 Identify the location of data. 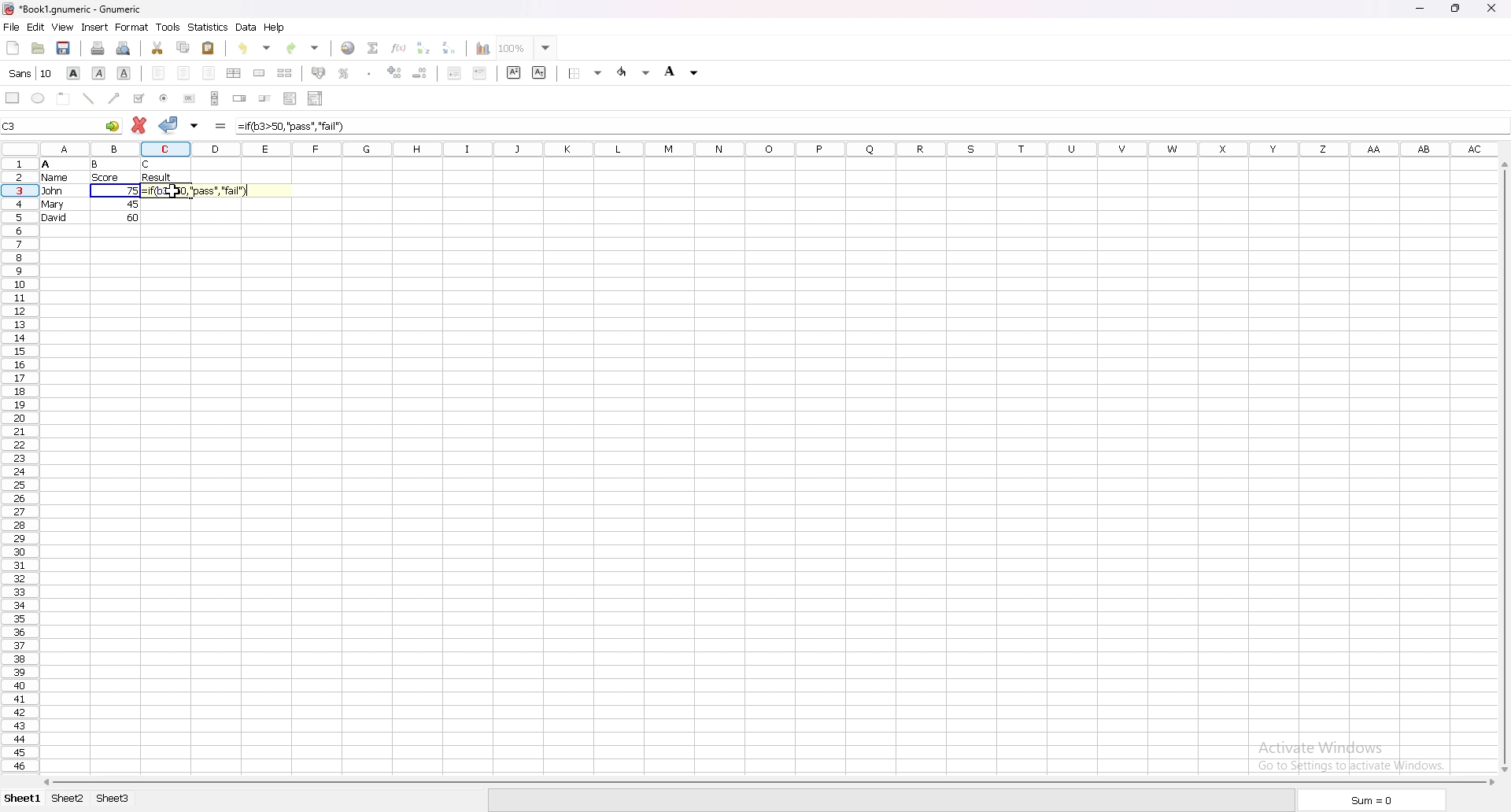
(246, 27).